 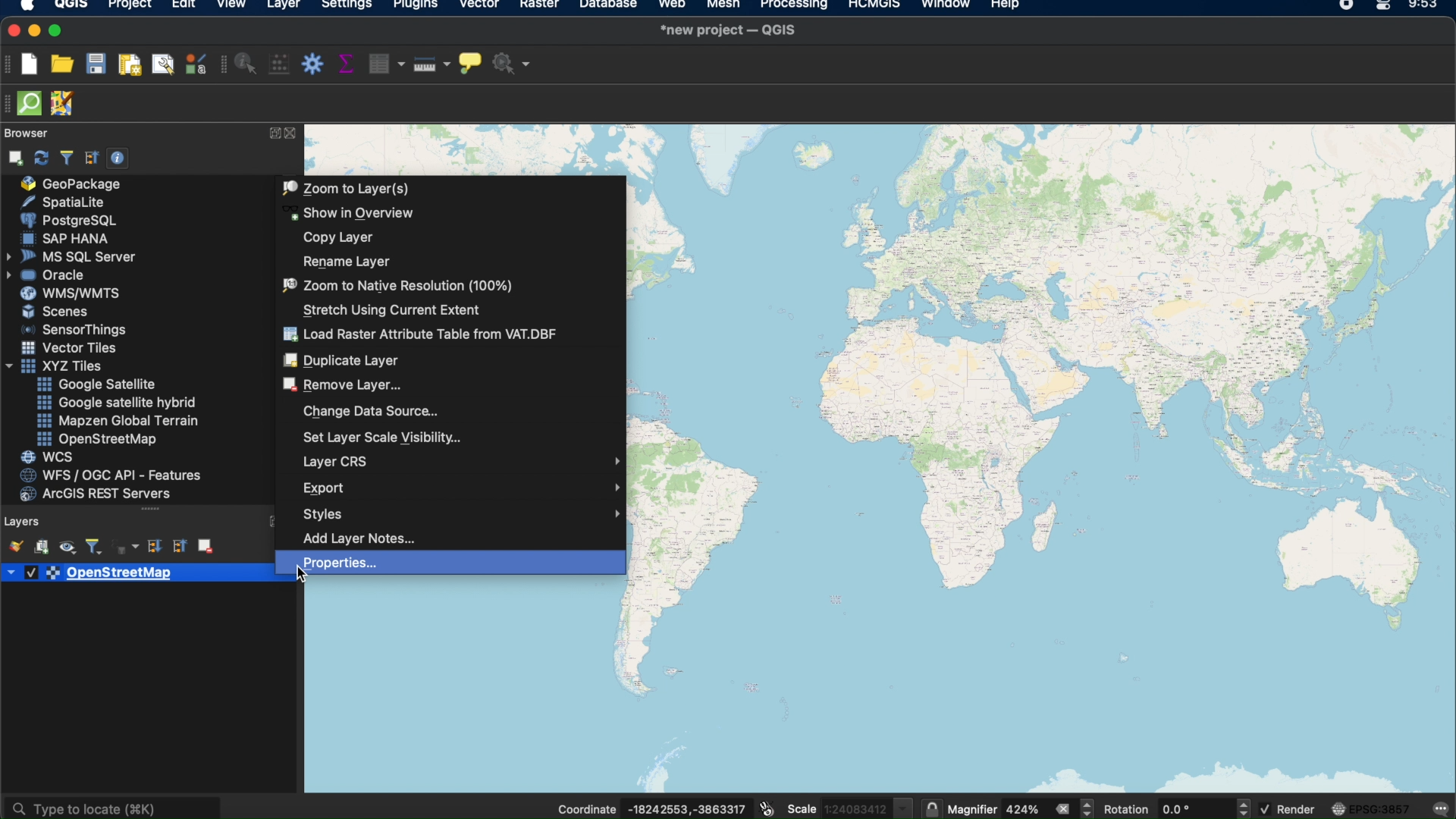 What do you see at coordinates (874, 6) in the screenshot?
I see `HCMGIS` at bounding box center [874, 6].